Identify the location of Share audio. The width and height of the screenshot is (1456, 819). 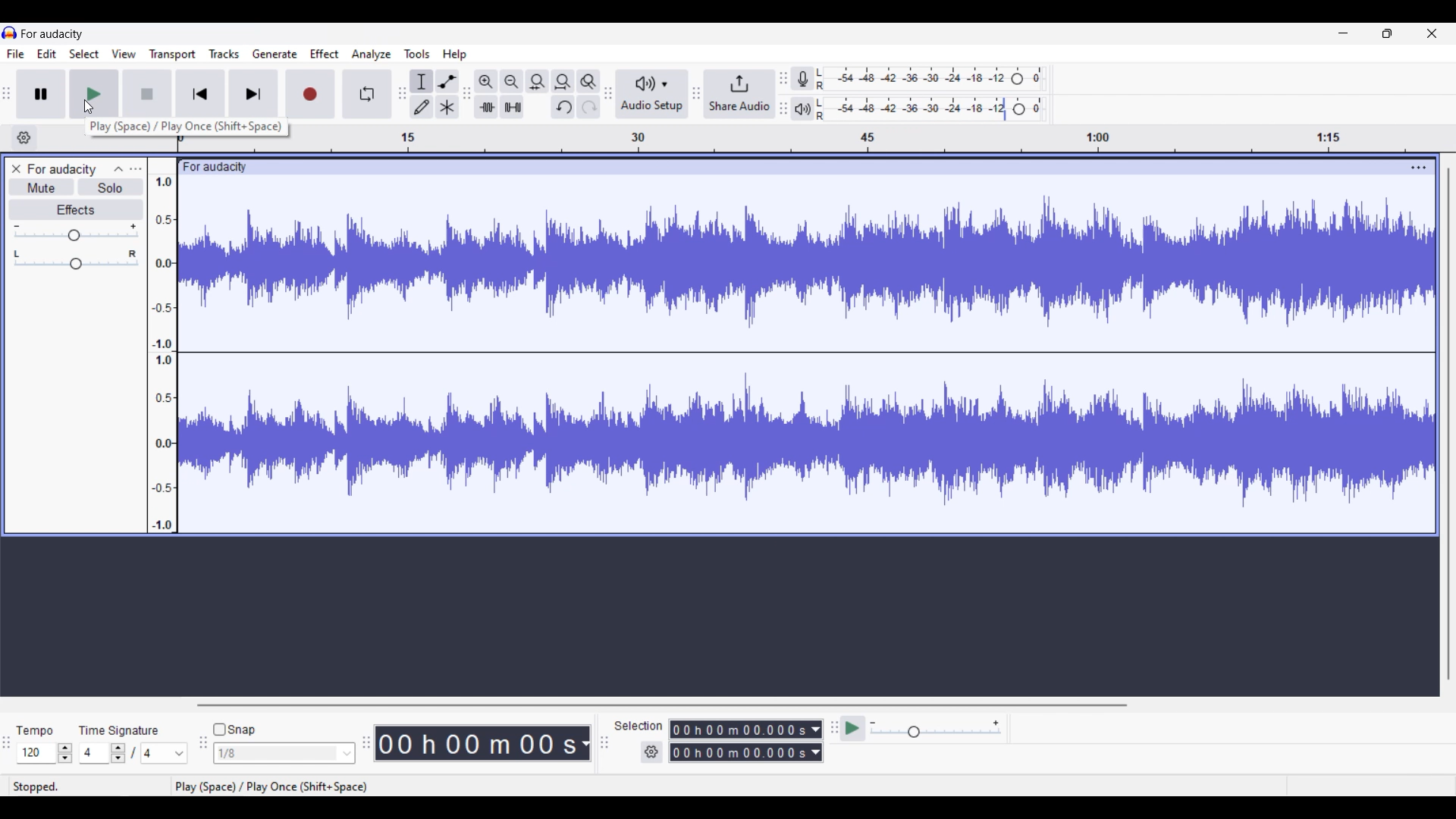
(739, 94).